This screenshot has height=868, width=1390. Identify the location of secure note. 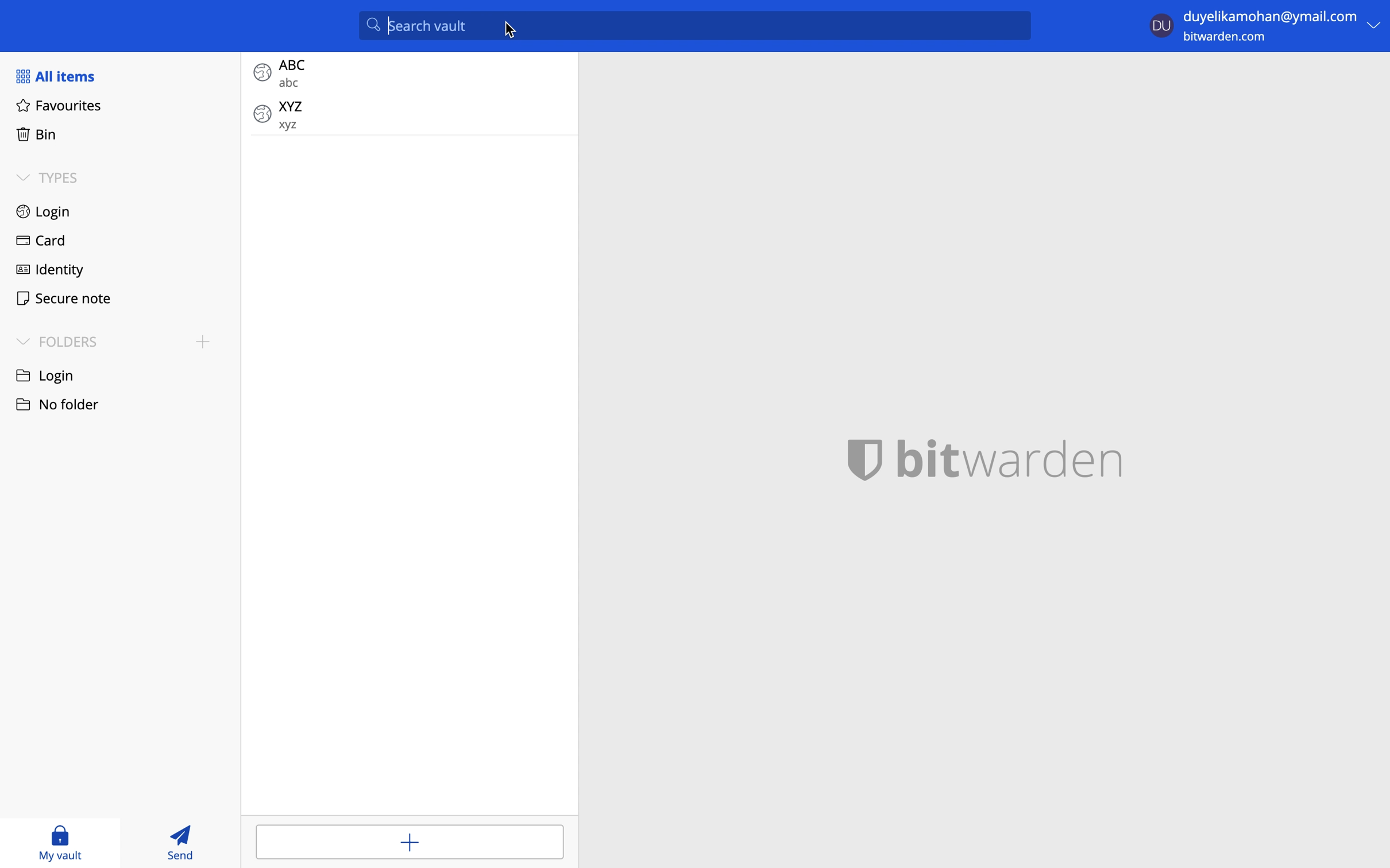
(69, 301).